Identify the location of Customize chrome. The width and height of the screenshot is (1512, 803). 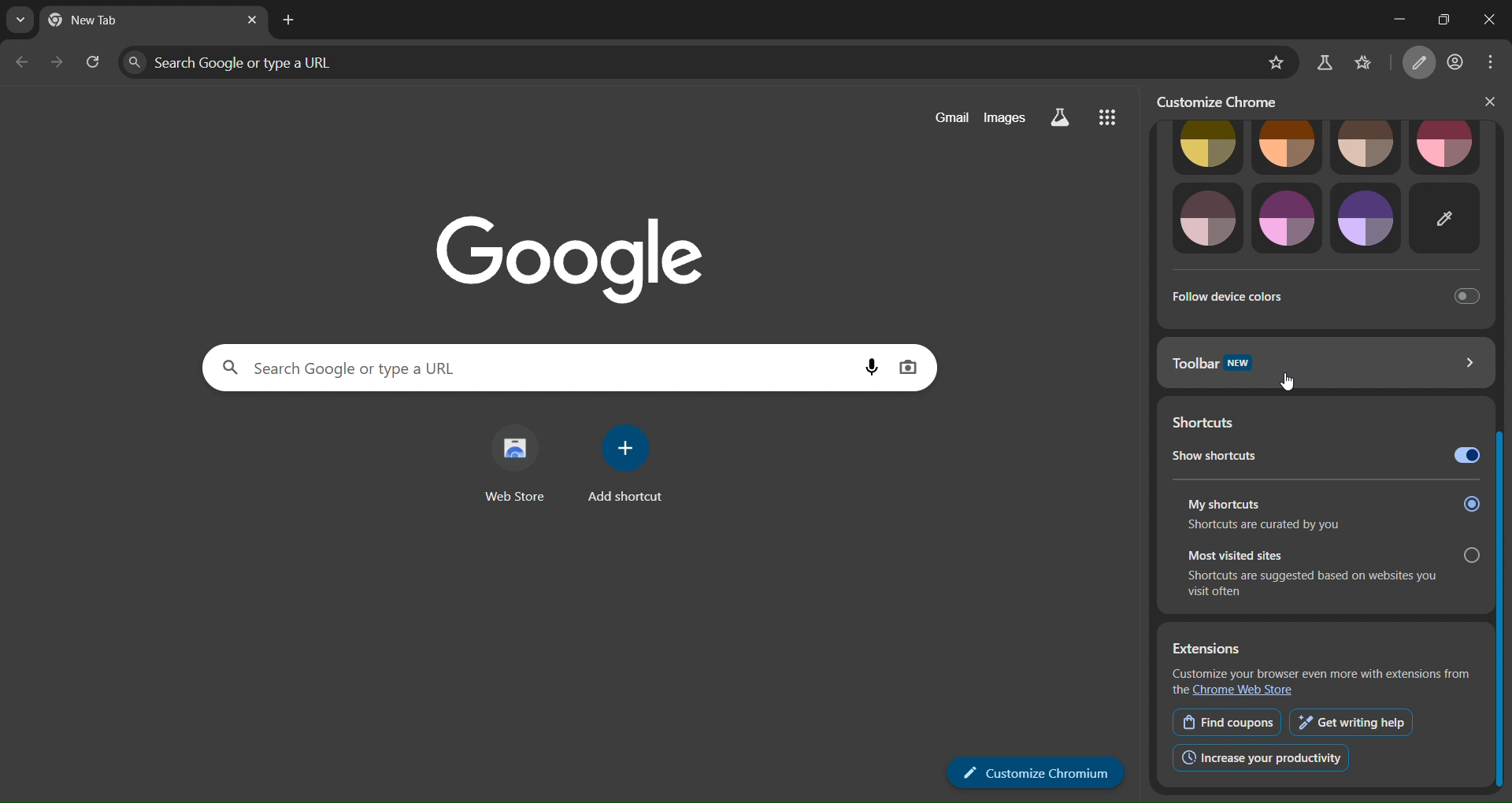
(1047, 772).